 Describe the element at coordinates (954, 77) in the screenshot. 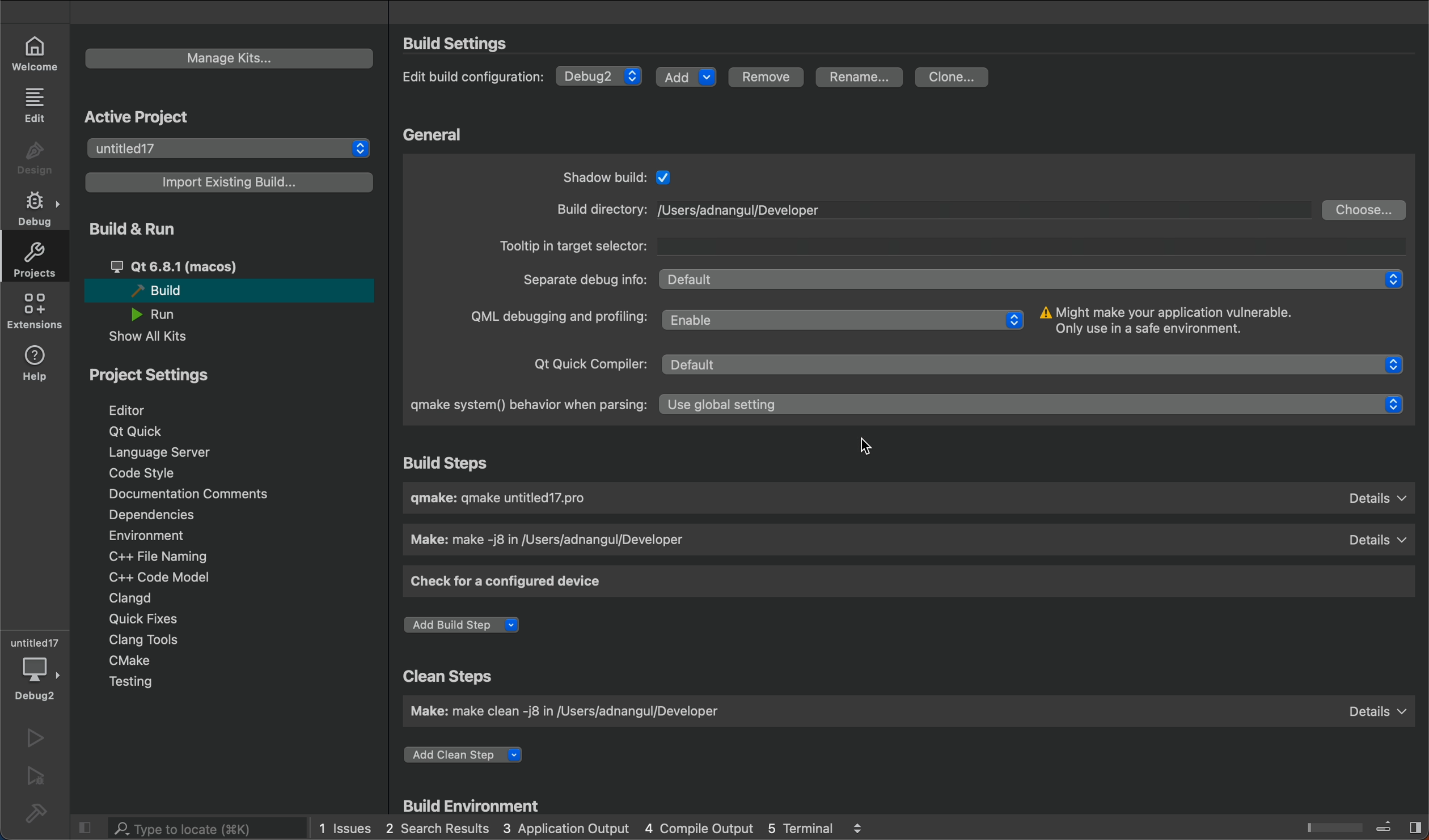

I see `clone` at that location.